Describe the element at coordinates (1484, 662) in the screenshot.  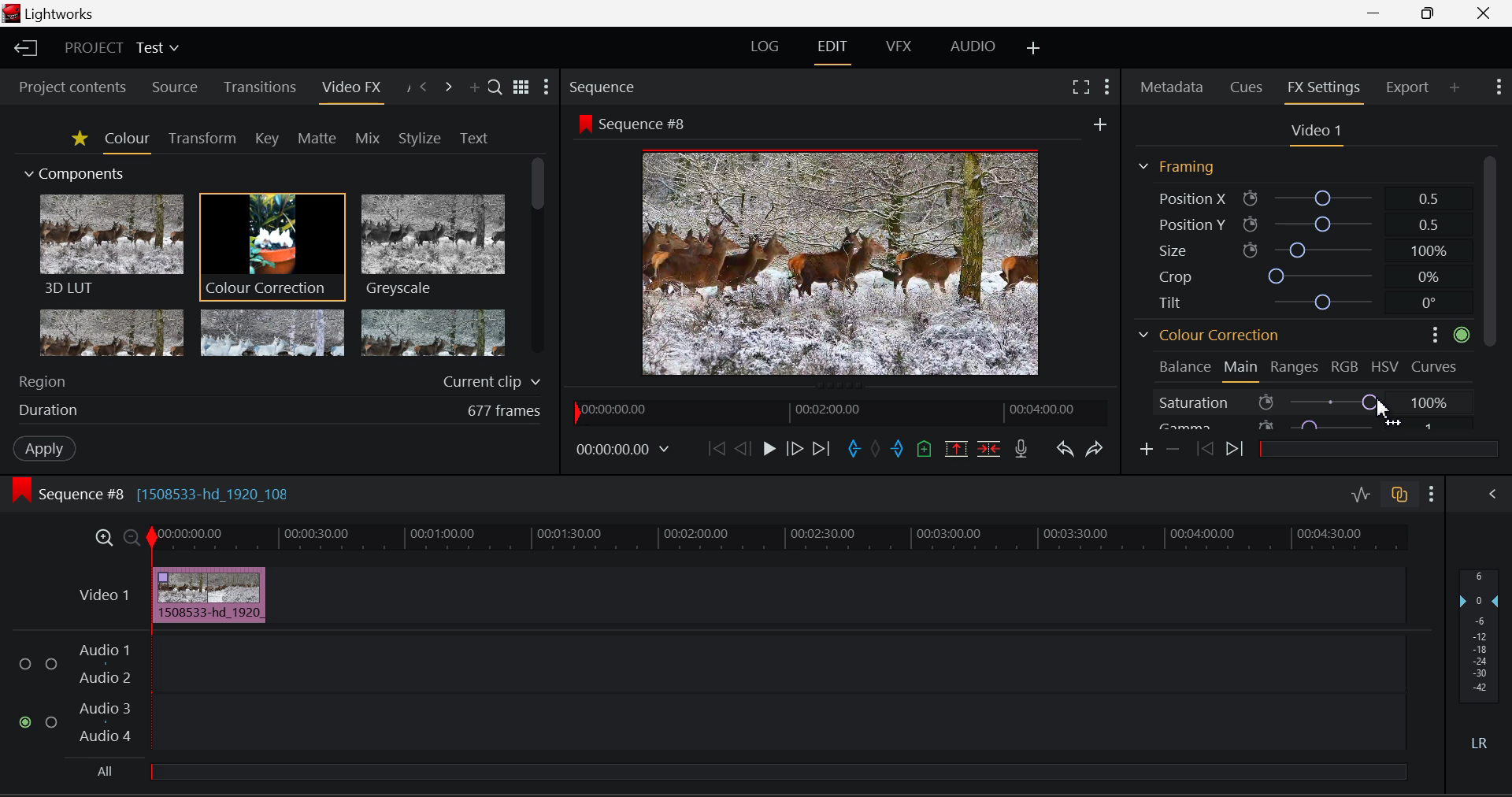
I see `Decibel Level` at that location.